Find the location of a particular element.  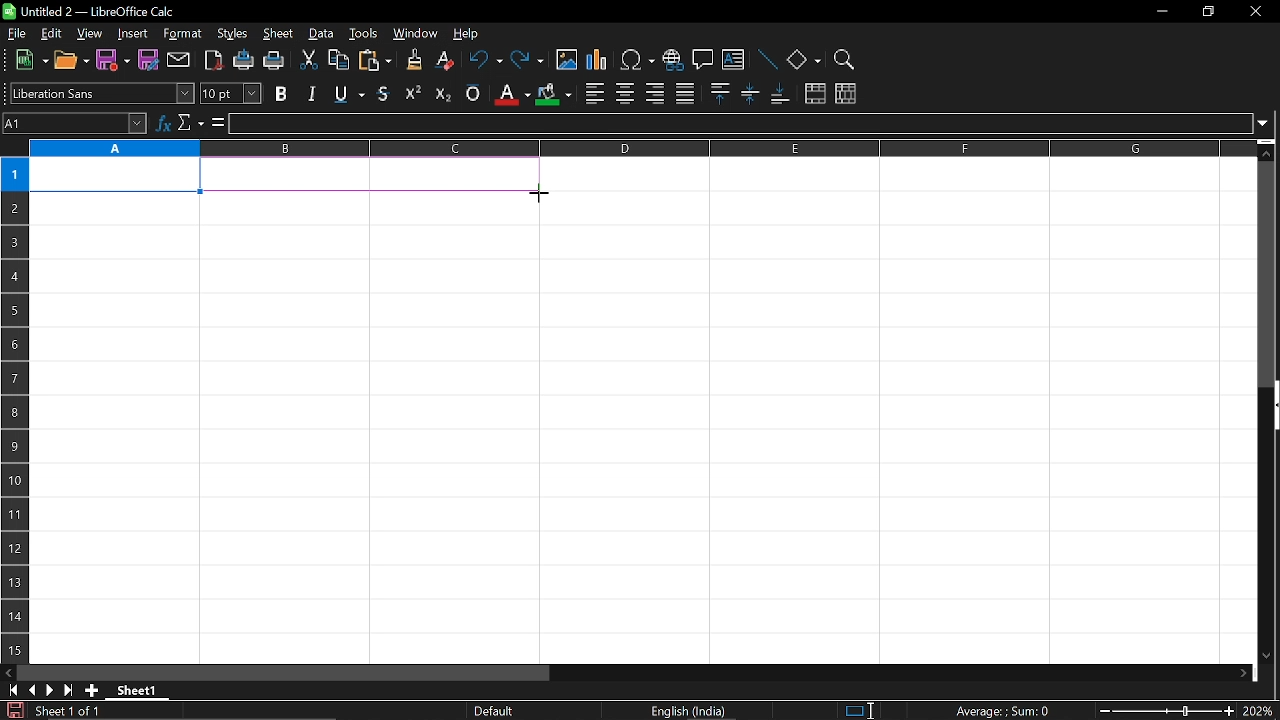

align bottom is located at coordinates (779, 95).